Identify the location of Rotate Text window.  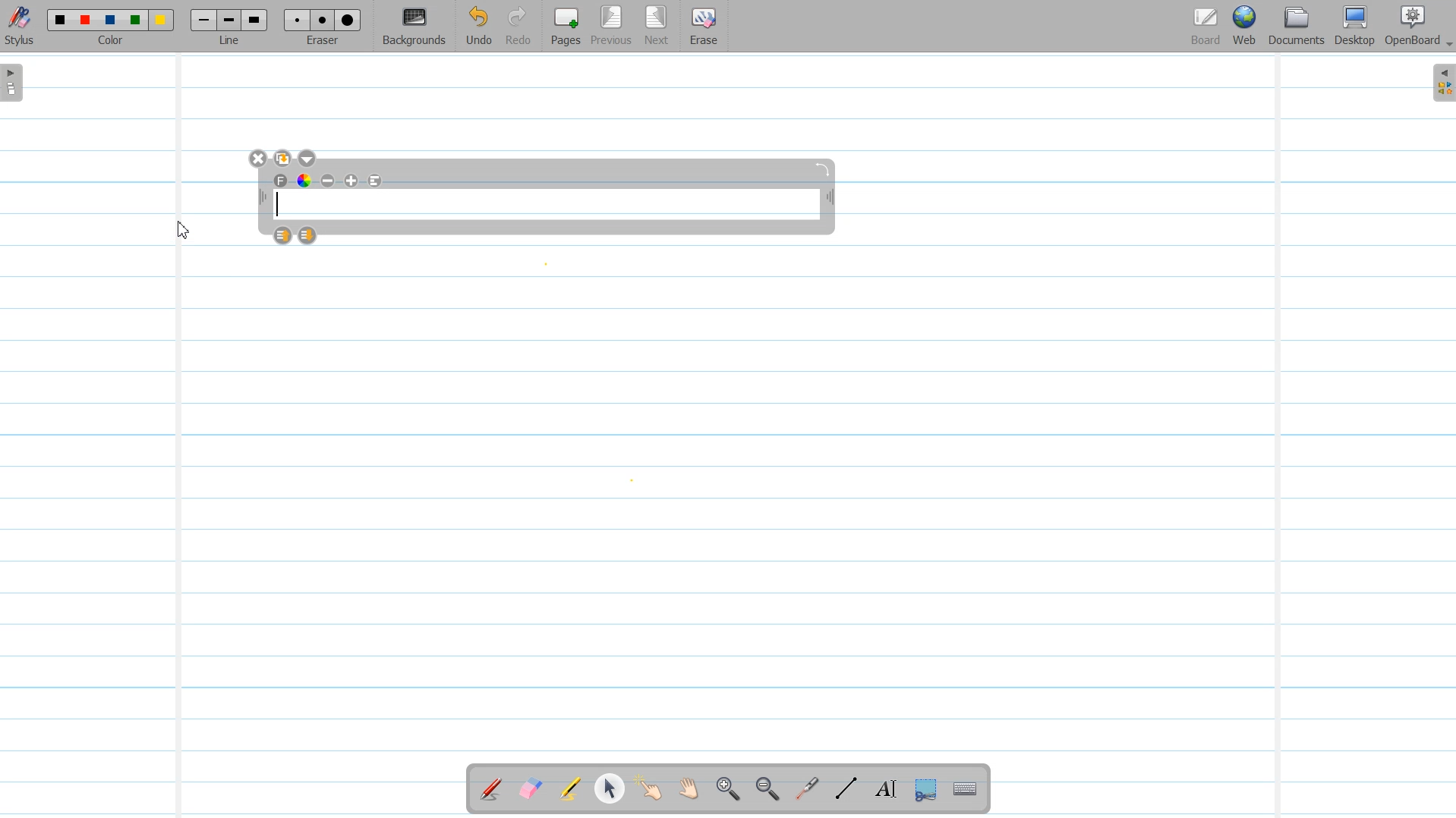
(824, 168).